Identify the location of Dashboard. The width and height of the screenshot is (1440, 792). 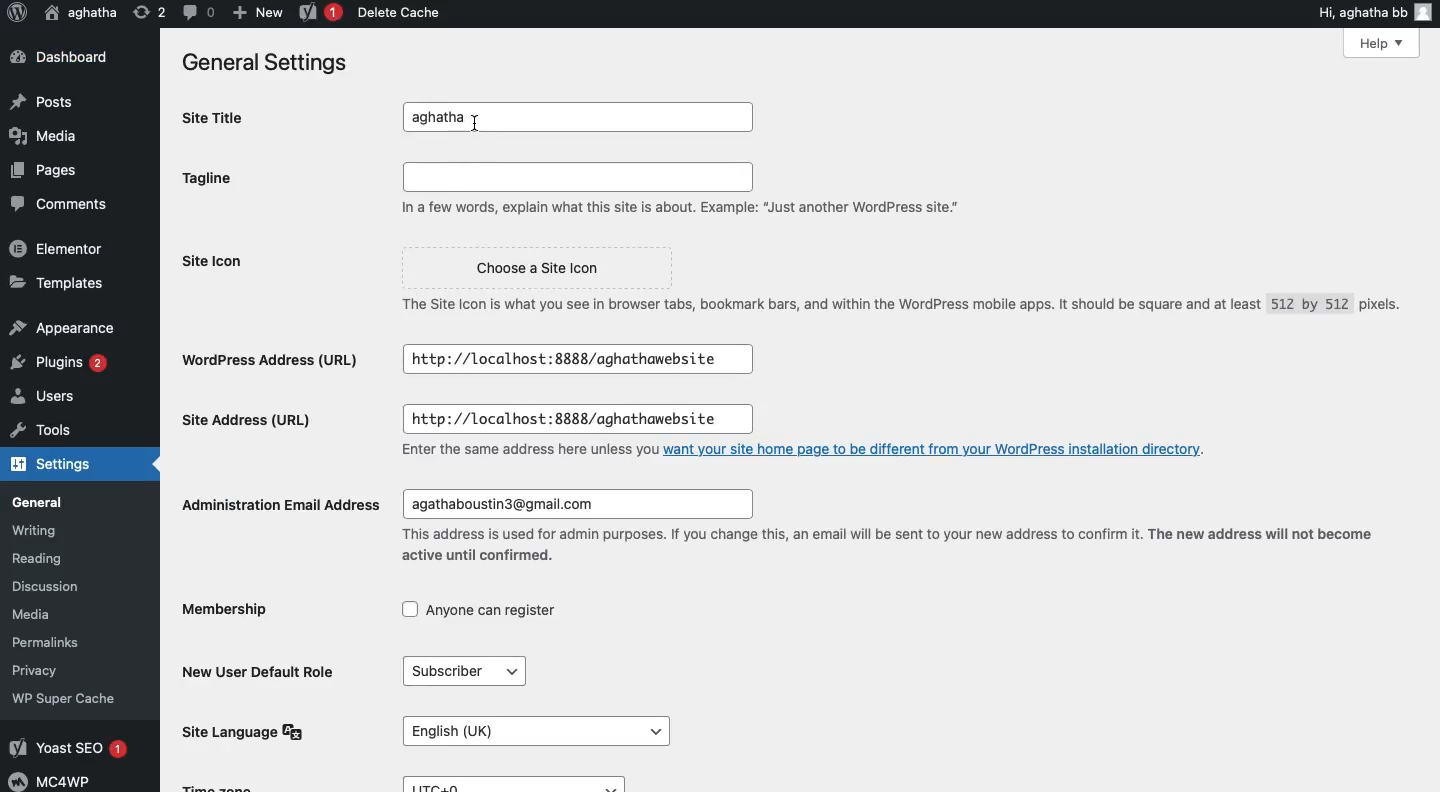
(60, 59).